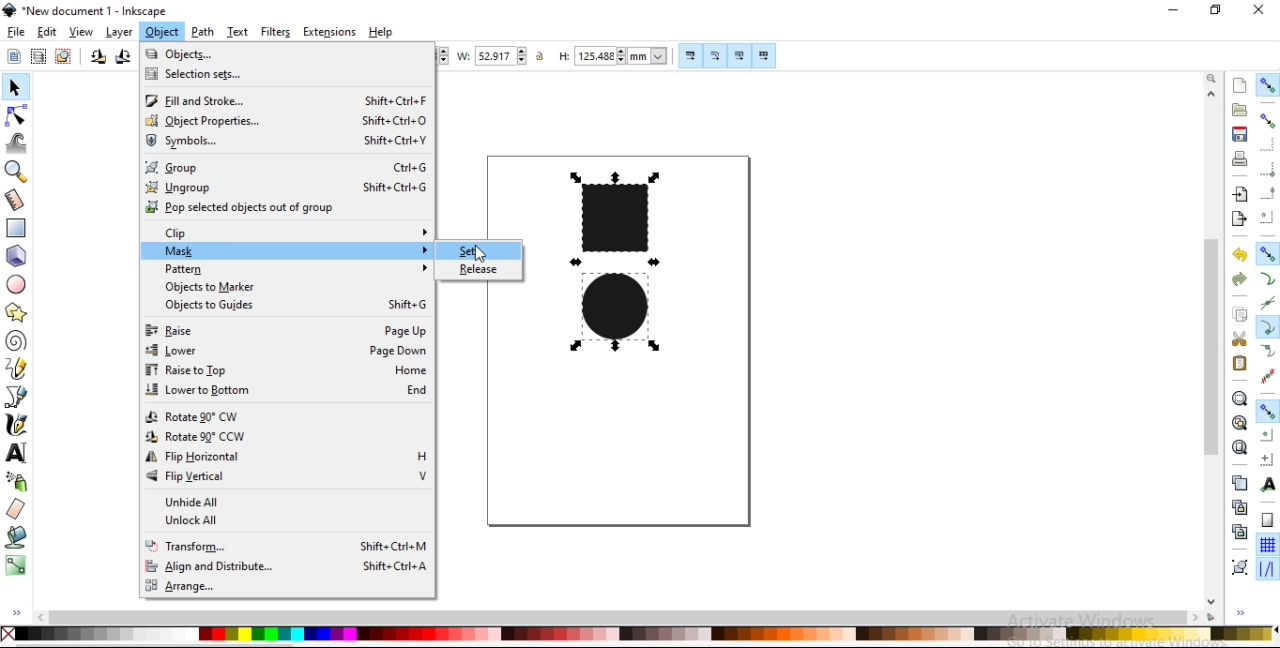 The image size is (1280, 648). I want to click on release, so click(479, 268).